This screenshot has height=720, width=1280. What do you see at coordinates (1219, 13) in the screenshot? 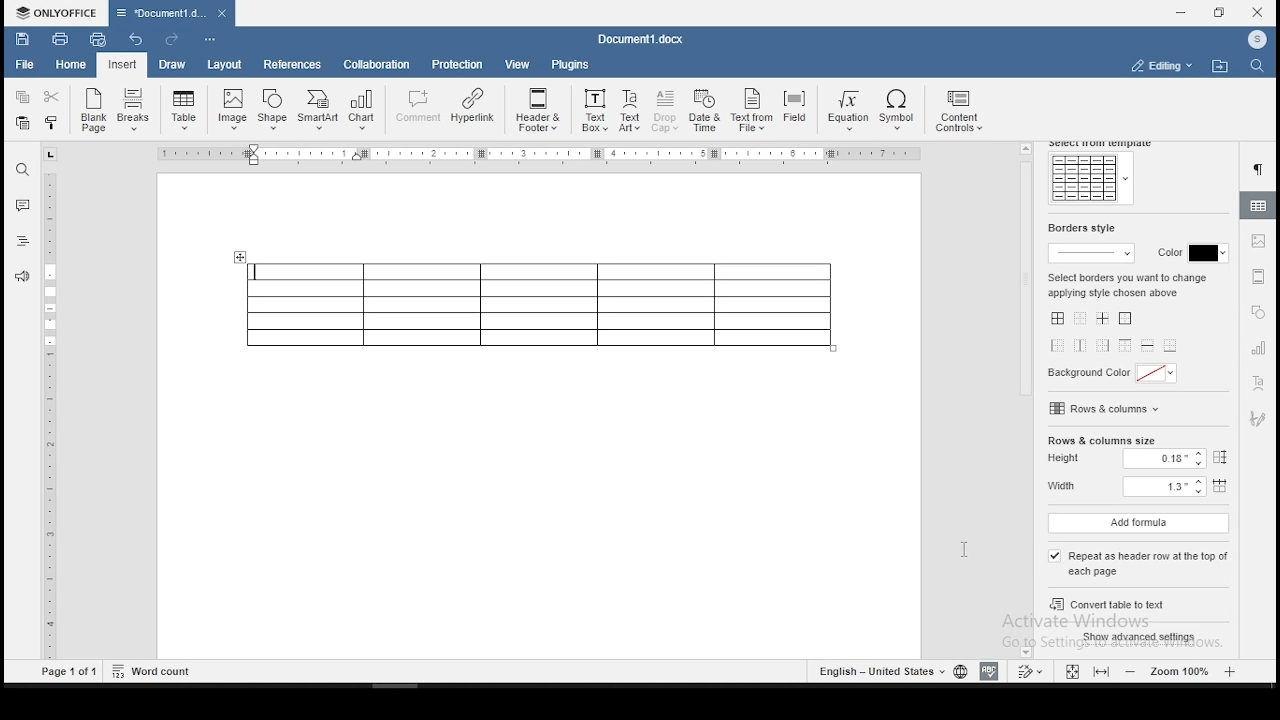
I see `restore` at bounding box center [1219, 13].